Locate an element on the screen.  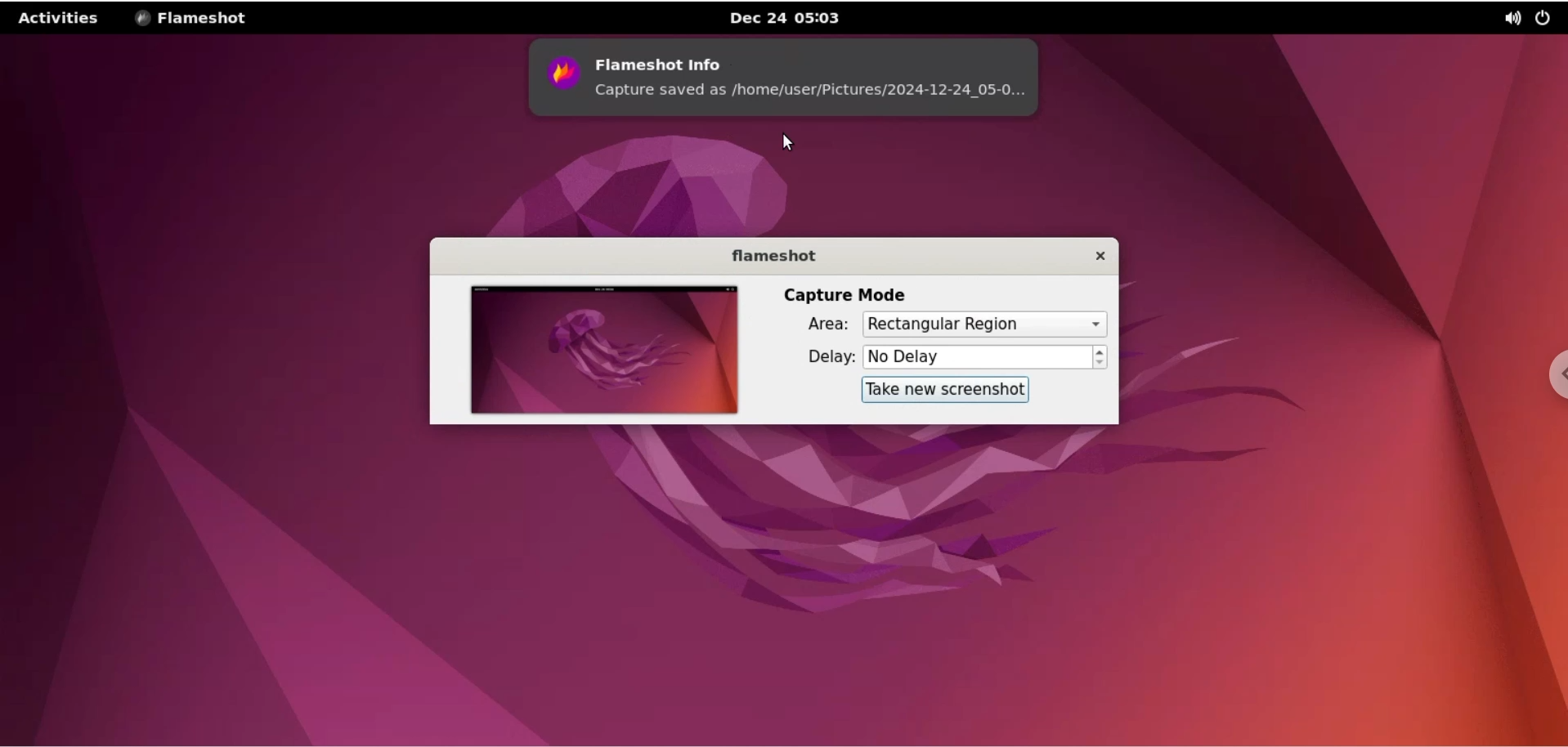
capture saved /home/user/pictures/2024-12-24_05-0... is located at coordinates (822, 96).